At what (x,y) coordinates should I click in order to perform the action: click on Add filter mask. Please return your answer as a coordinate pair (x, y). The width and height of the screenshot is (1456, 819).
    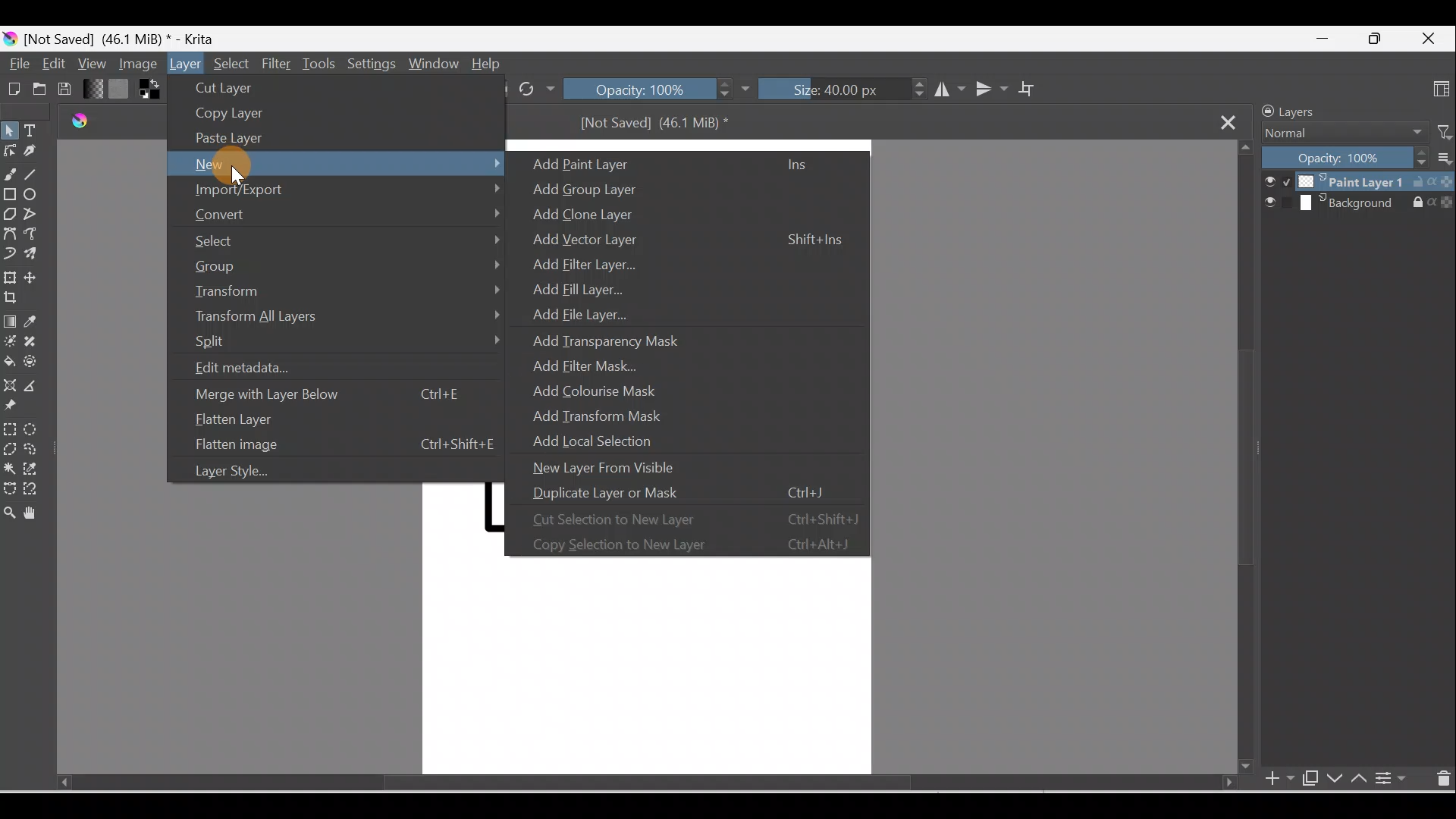
    Looking at the image, I should click on (595, 364).